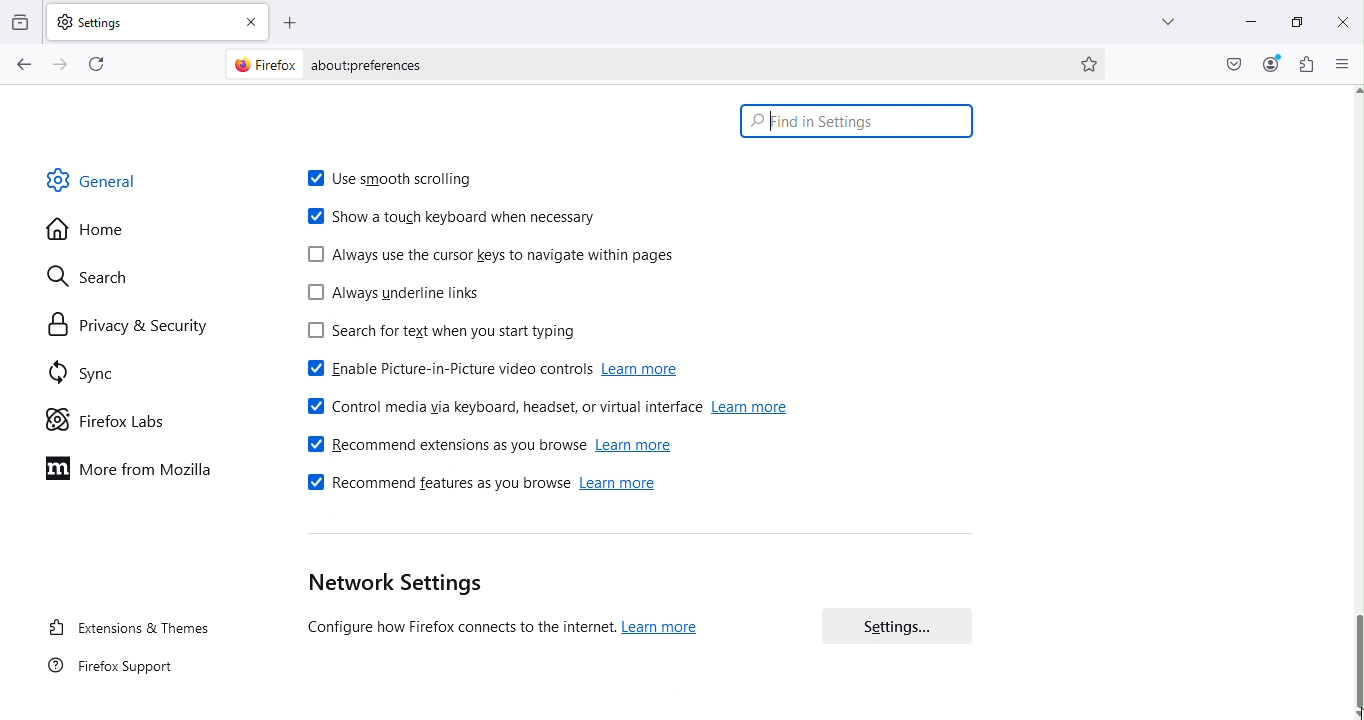  What do you see at coordinates (444, 371) in the screenshot?
I see `Enable picture-in-picture video controls` at bounding box center [444, 371].